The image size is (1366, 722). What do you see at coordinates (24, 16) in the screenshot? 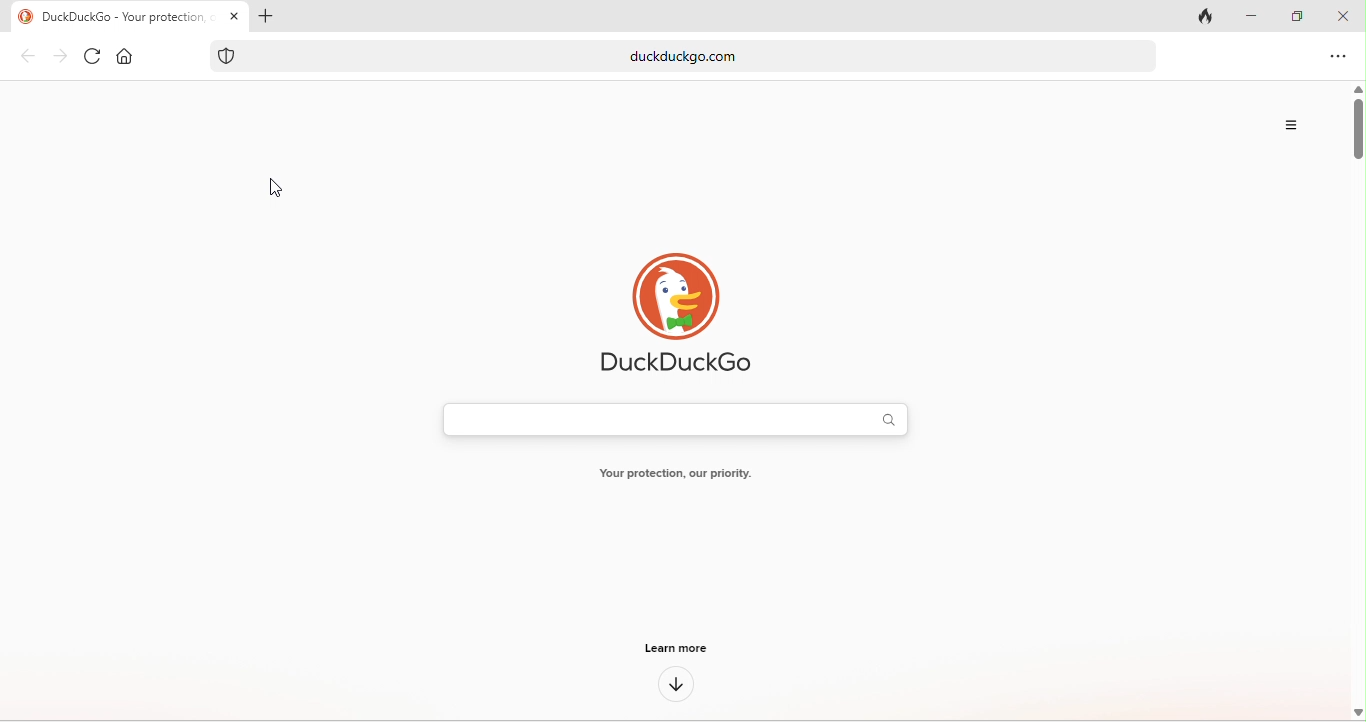
I see `duckduck go logo` at bounding box center [24, 16].